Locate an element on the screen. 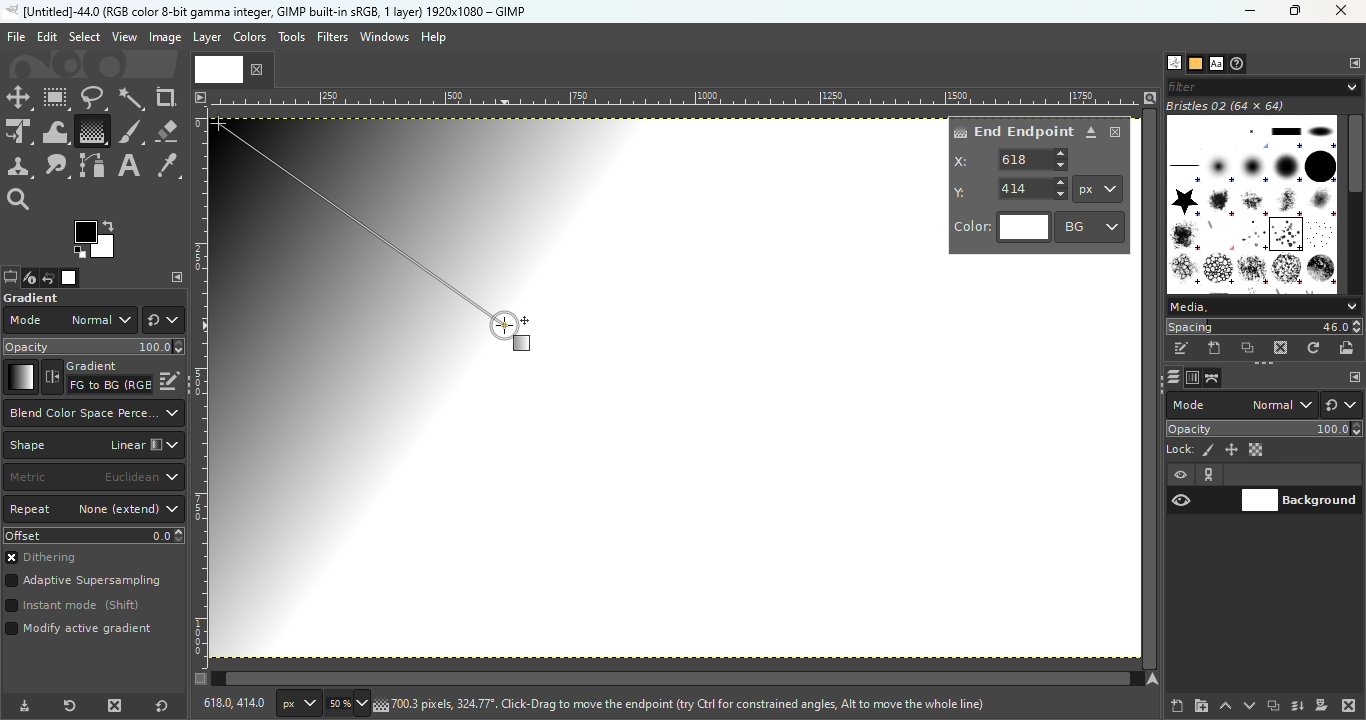  Delete this layer is located at coordinates (1350, 706).